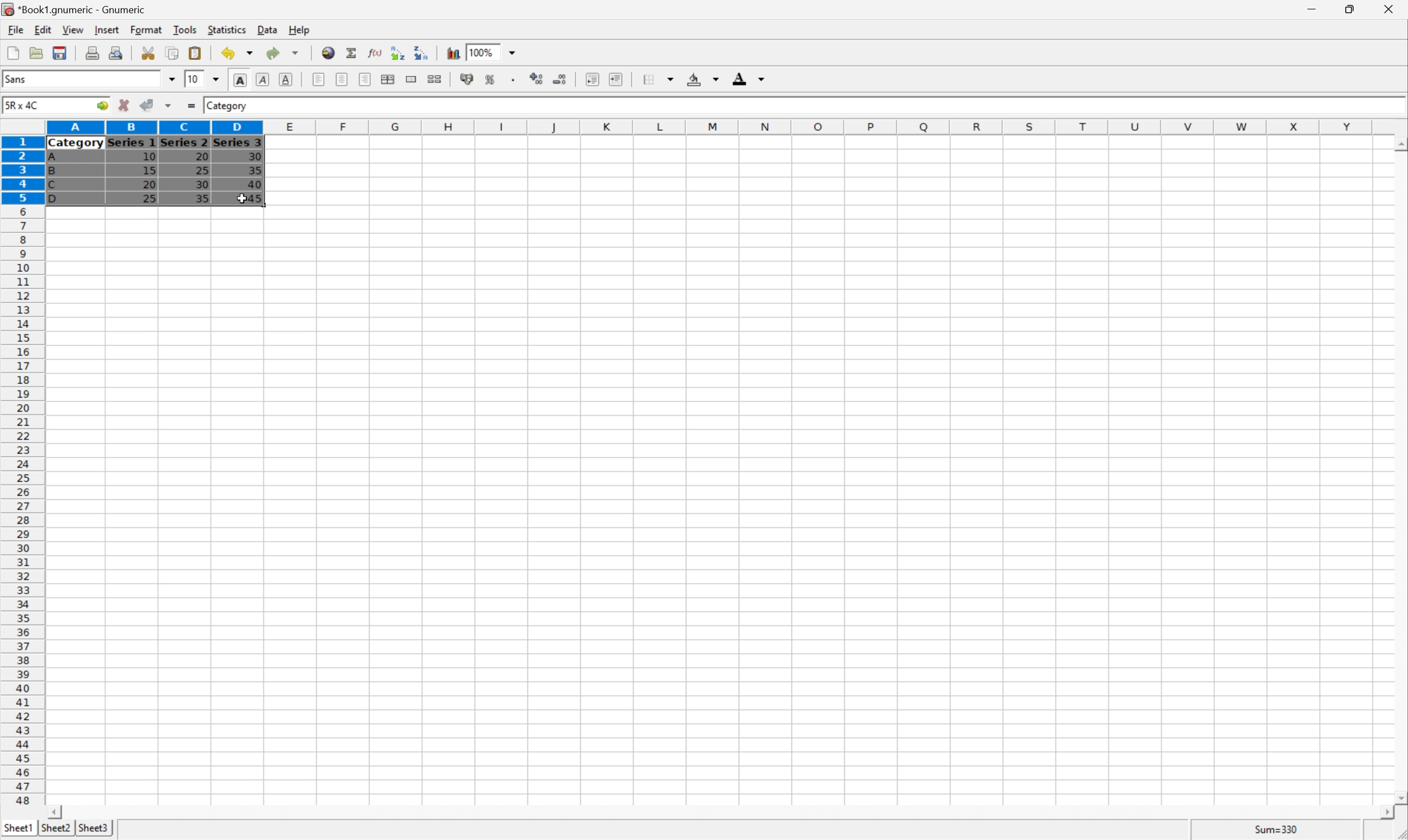 Image resolution: width=1408 pixels, height=840 pixels. I want to click on Sum in current cell, so click(353, 53).